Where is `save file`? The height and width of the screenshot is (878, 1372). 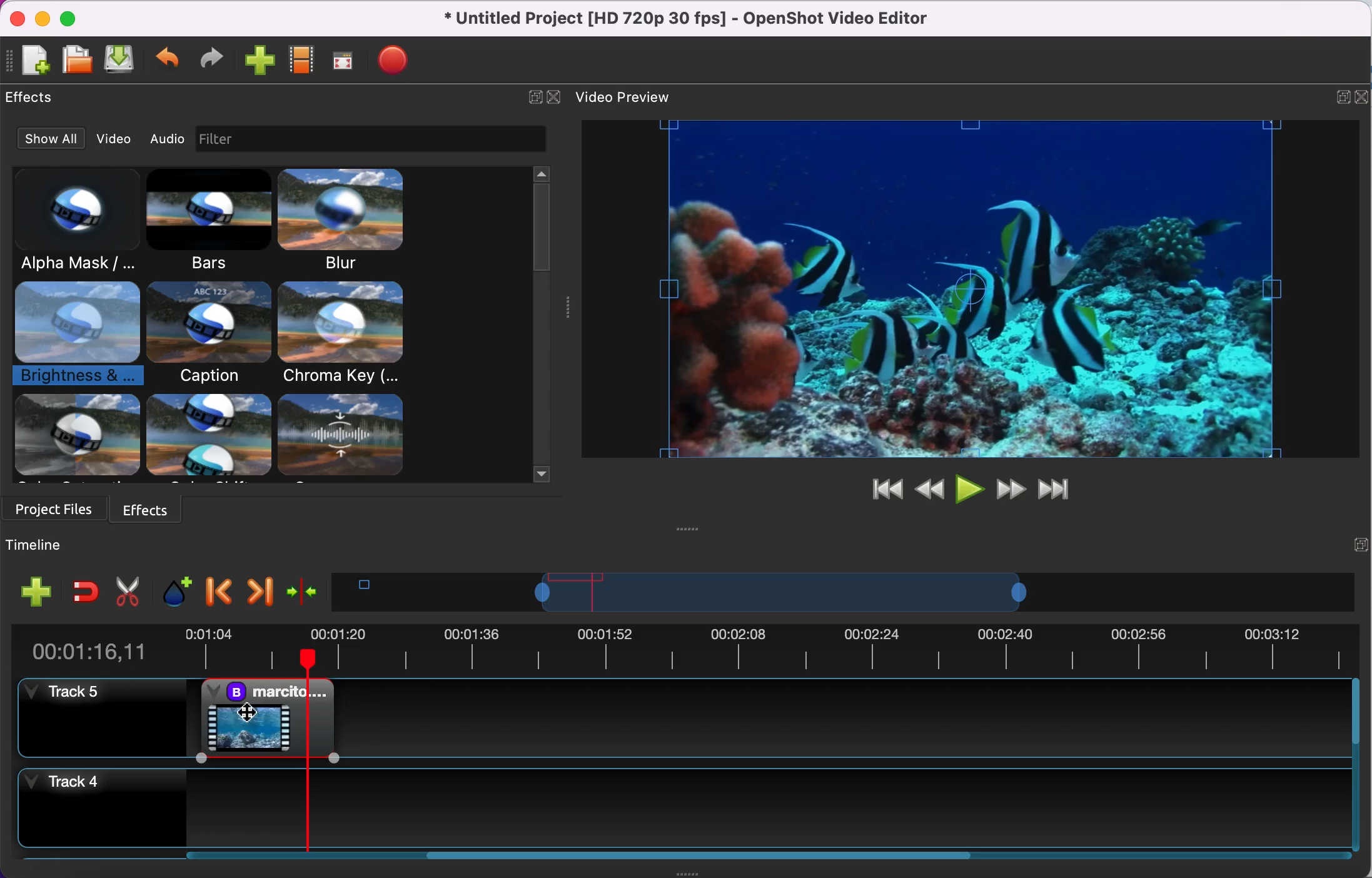 save file is located at coordinates (122, 61).